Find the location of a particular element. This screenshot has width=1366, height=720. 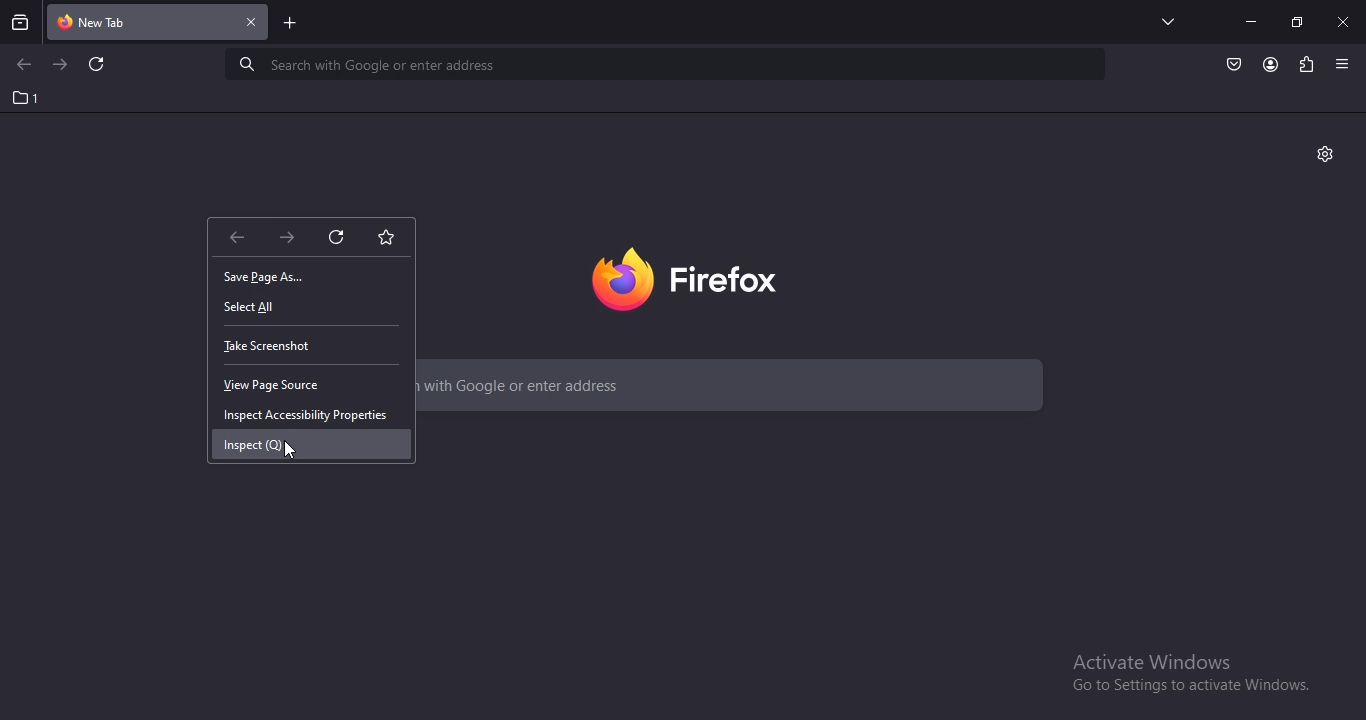

inspect(Q) is located at coordinates (260, 444).